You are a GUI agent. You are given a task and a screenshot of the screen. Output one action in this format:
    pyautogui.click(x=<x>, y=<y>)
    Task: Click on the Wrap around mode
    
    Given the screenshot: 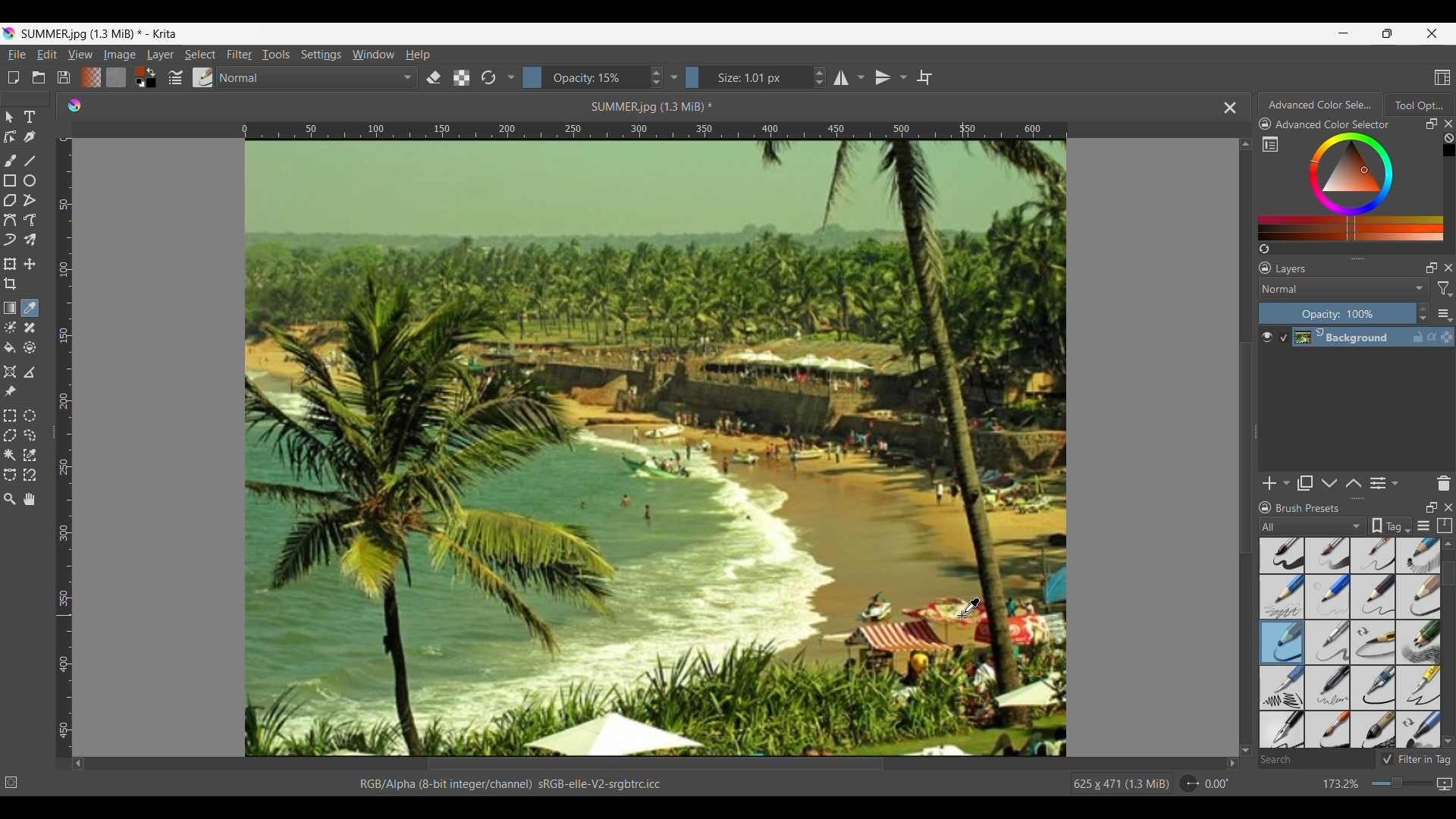 What is the action you would take?
    pyautogui.click(x=924, y=77)
    